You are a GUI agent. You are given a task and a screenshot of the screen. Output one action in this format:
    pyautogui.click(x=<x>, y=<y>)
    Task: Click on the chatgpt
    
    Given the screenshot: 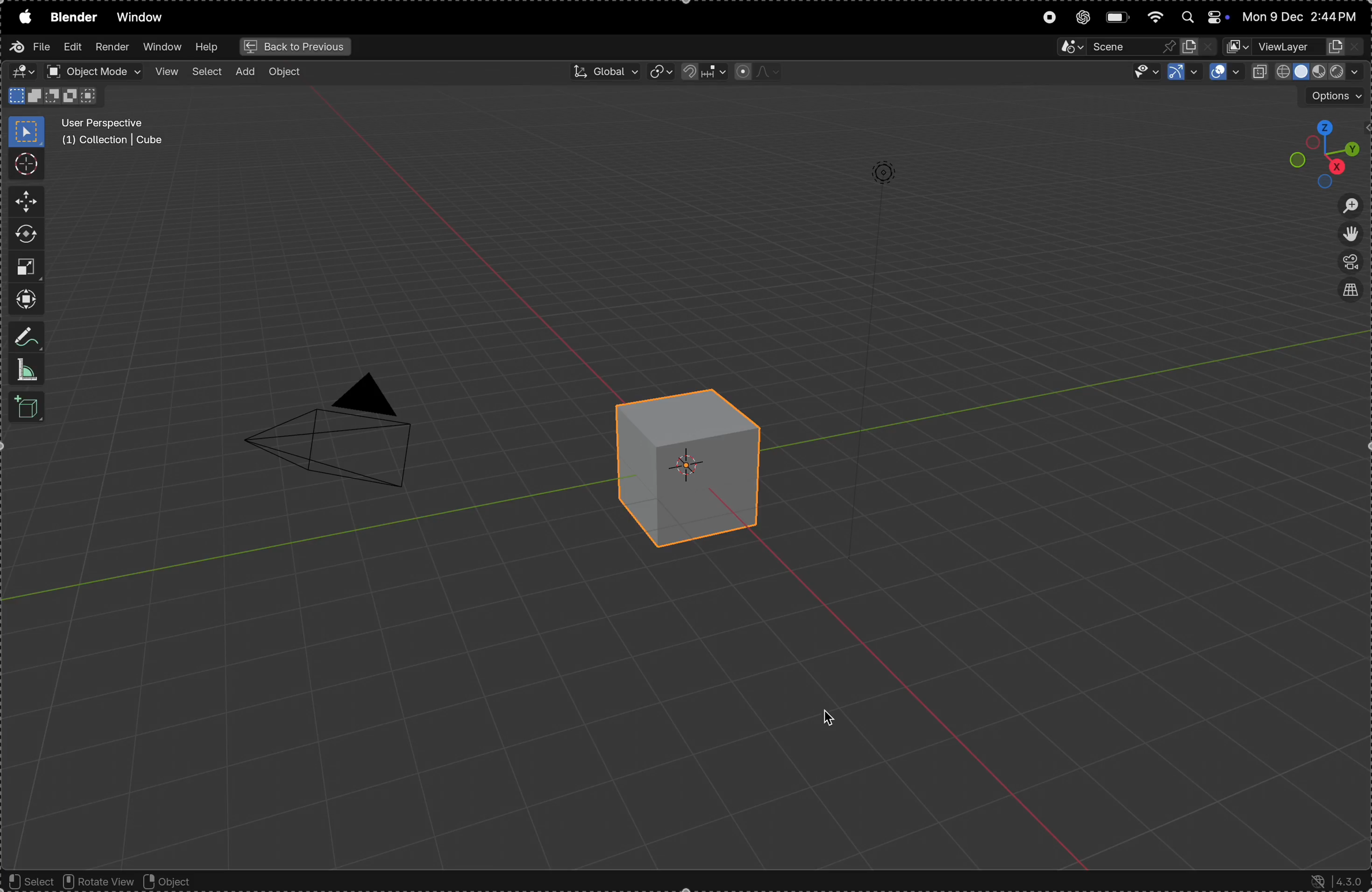 What is the action you would take?
    pyautogui.click(x=1083, y=18)
    